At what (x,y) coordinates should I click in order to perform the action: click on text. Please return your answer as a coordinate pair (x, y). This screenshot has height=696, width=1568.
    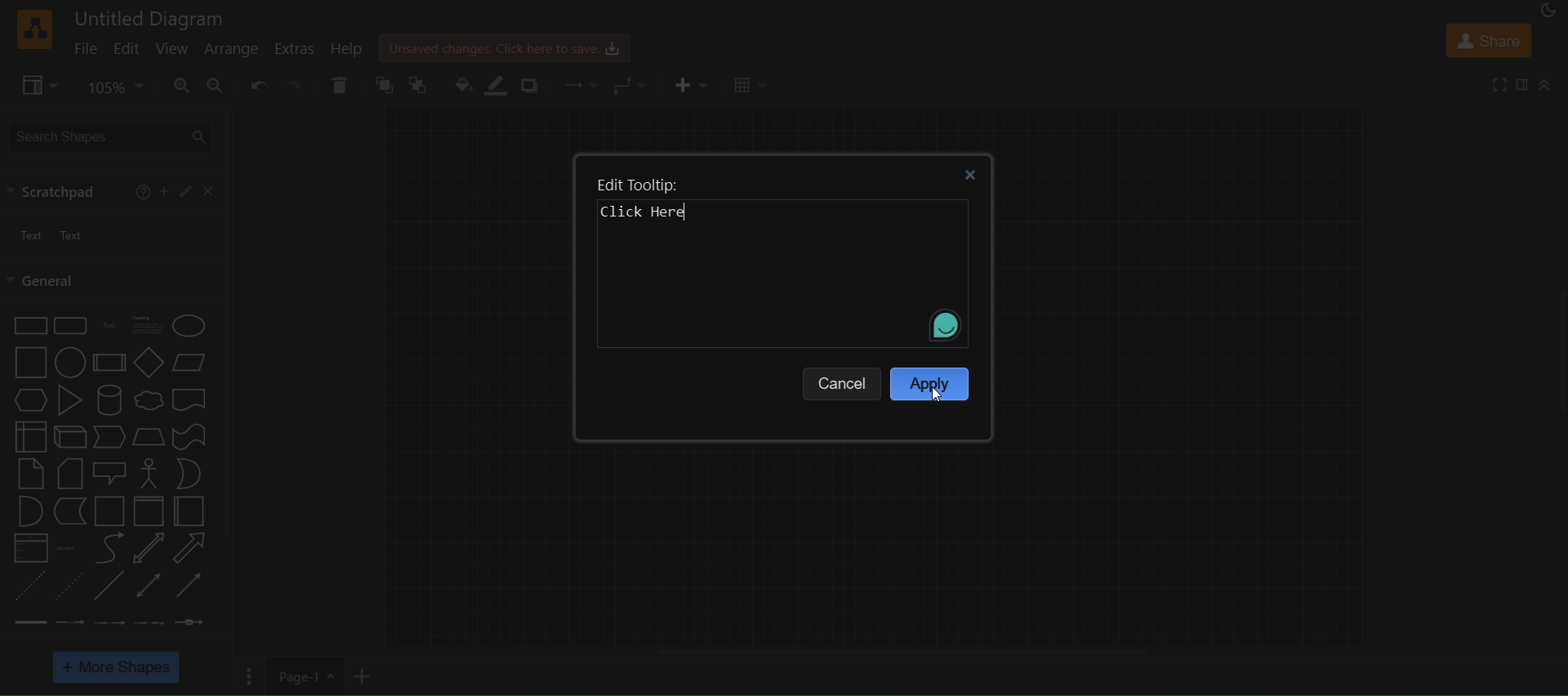
    Looking at the image, I should click on (47, 233).